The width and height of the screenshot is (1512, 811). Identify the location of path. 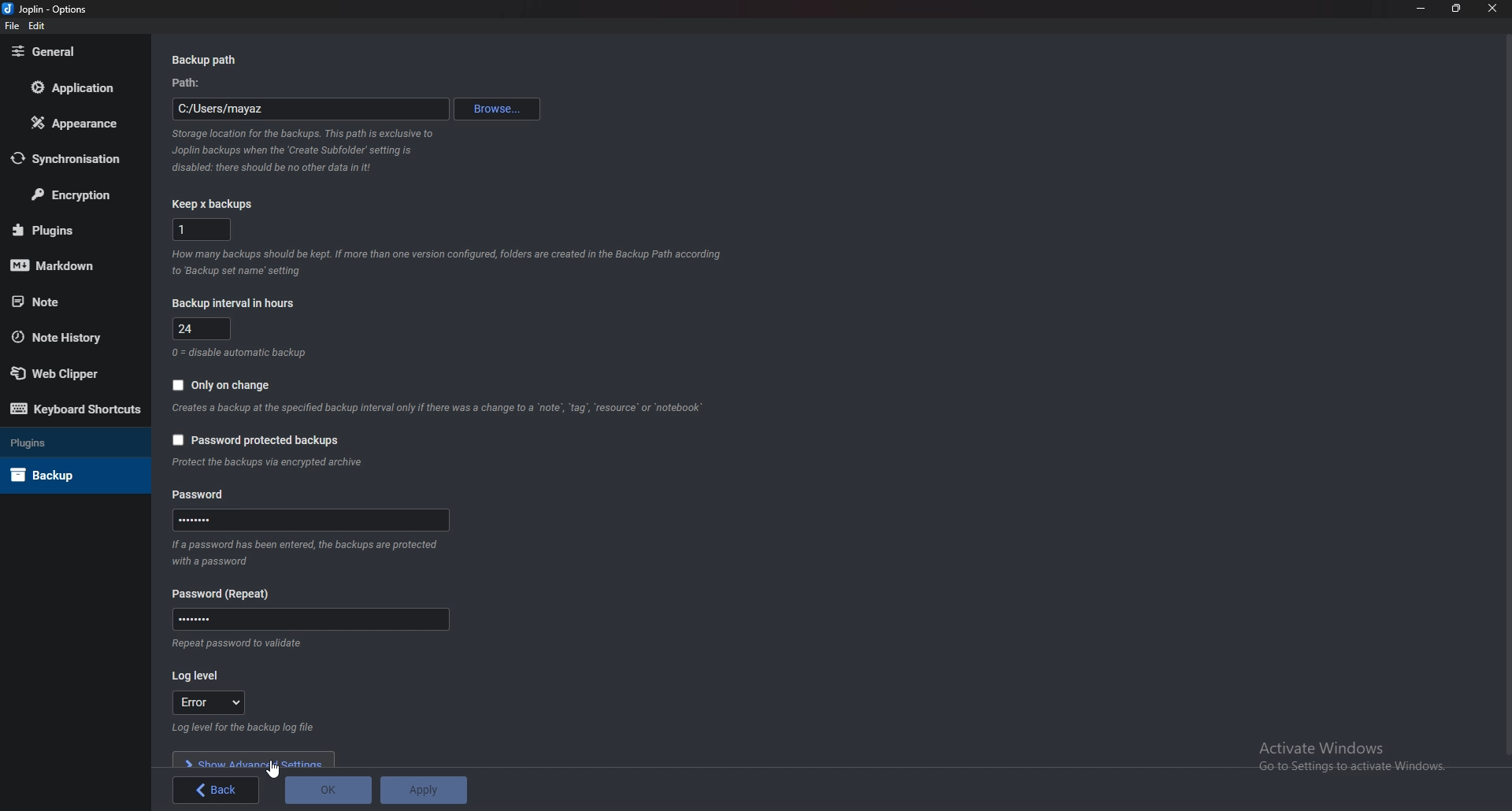
(189, 83).